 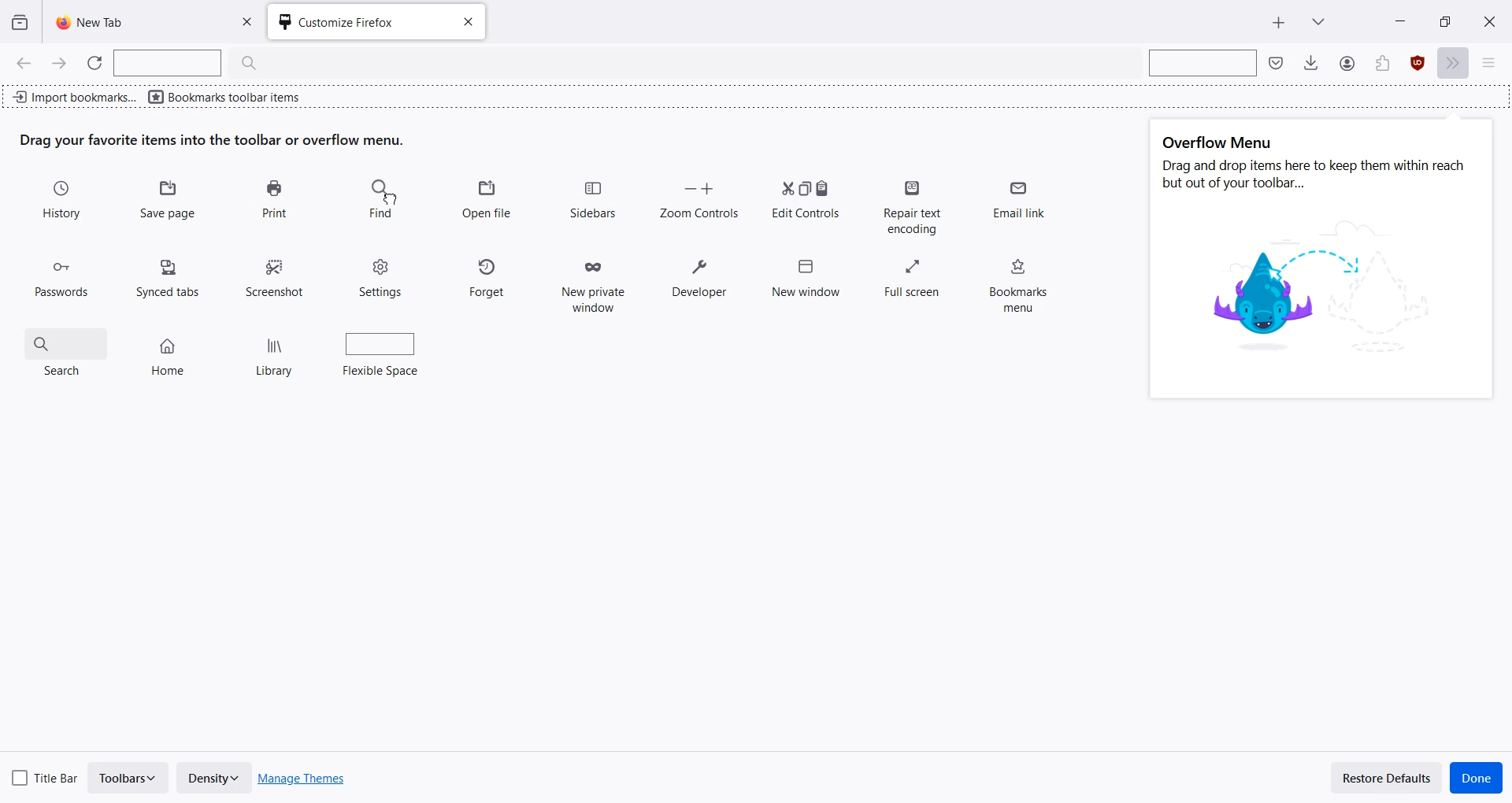 What do you see at coordinates (213, 140) in the screenshot?
I see `Text` at bounding box center [213, 140].